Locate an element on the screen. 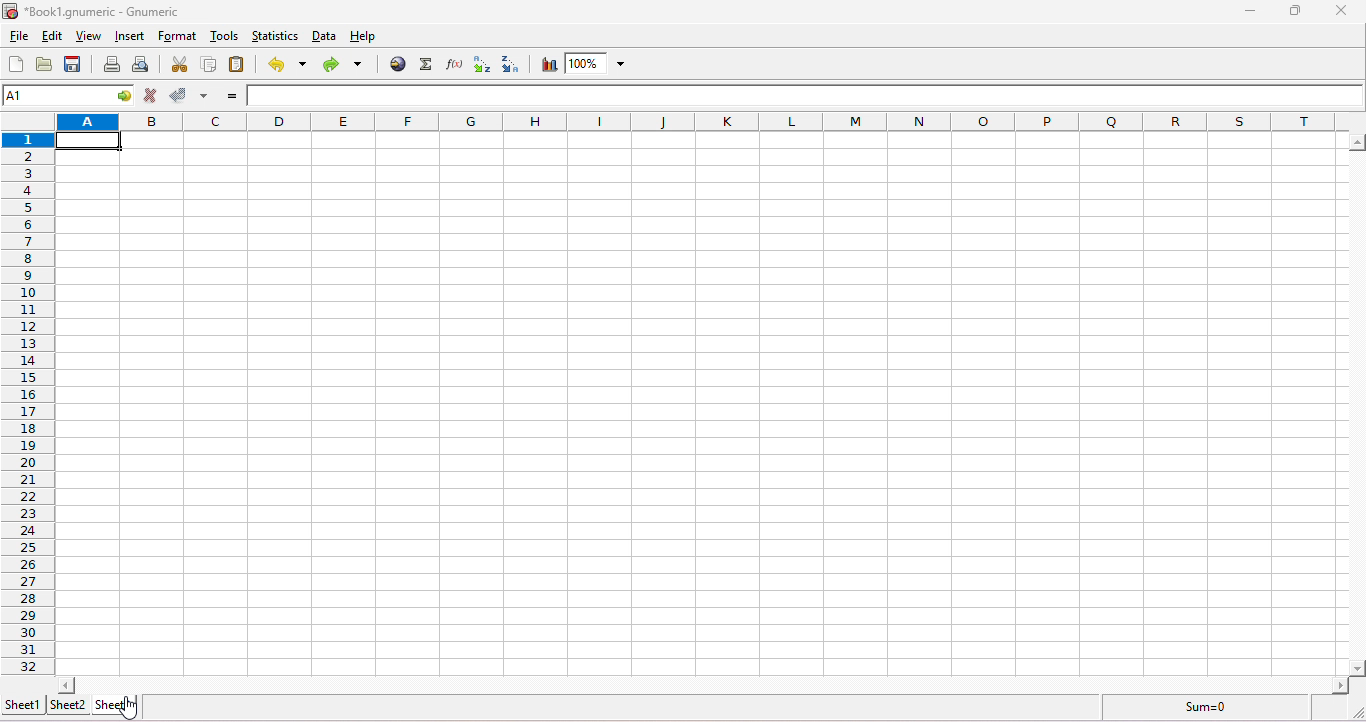  cell name A1 is located at coordinates (55, 95).